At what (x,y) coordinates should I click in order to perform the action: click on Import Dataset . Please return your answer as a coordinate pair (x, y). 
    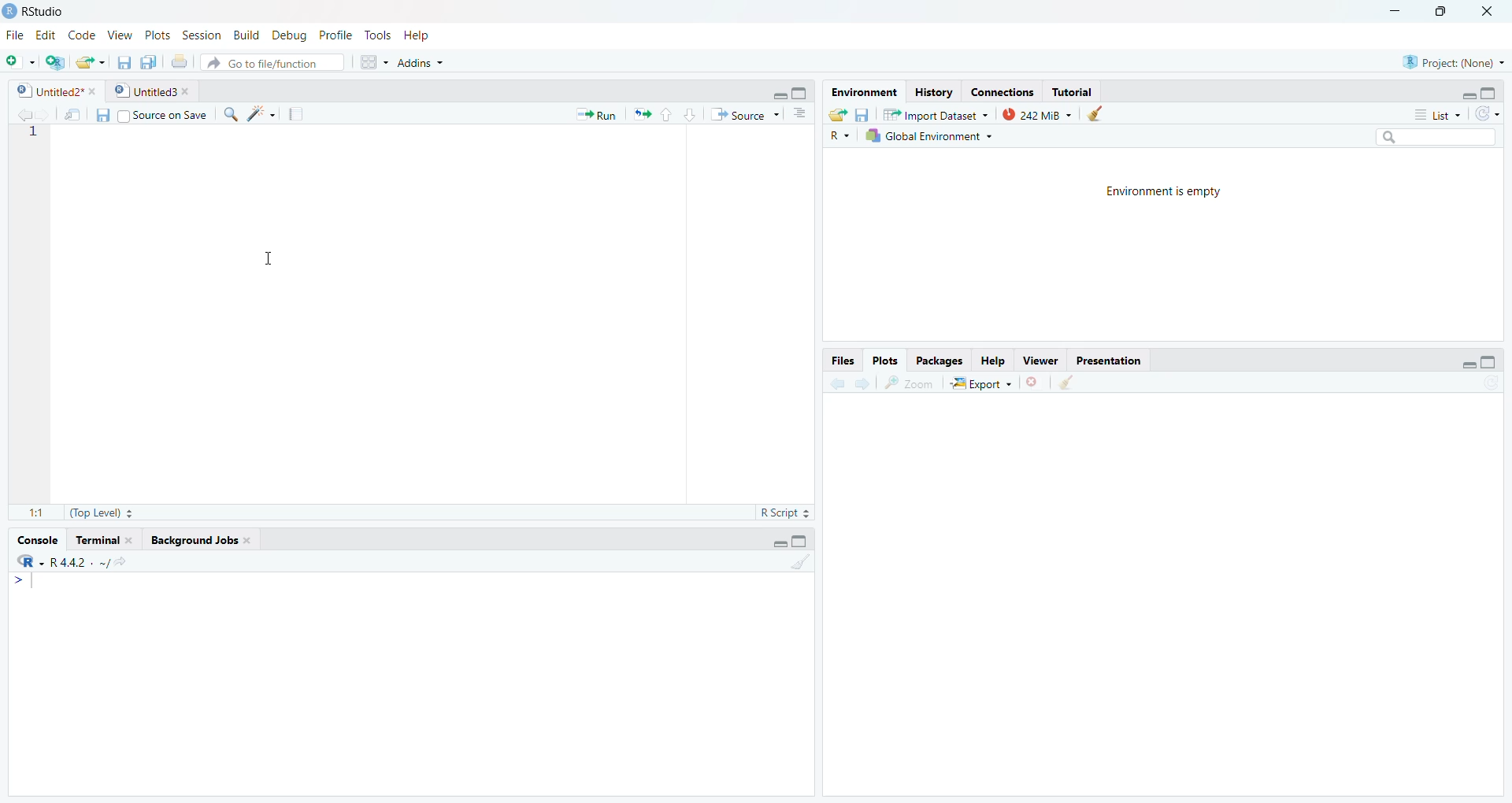
    Looking at the image, I should click on (936, 113).